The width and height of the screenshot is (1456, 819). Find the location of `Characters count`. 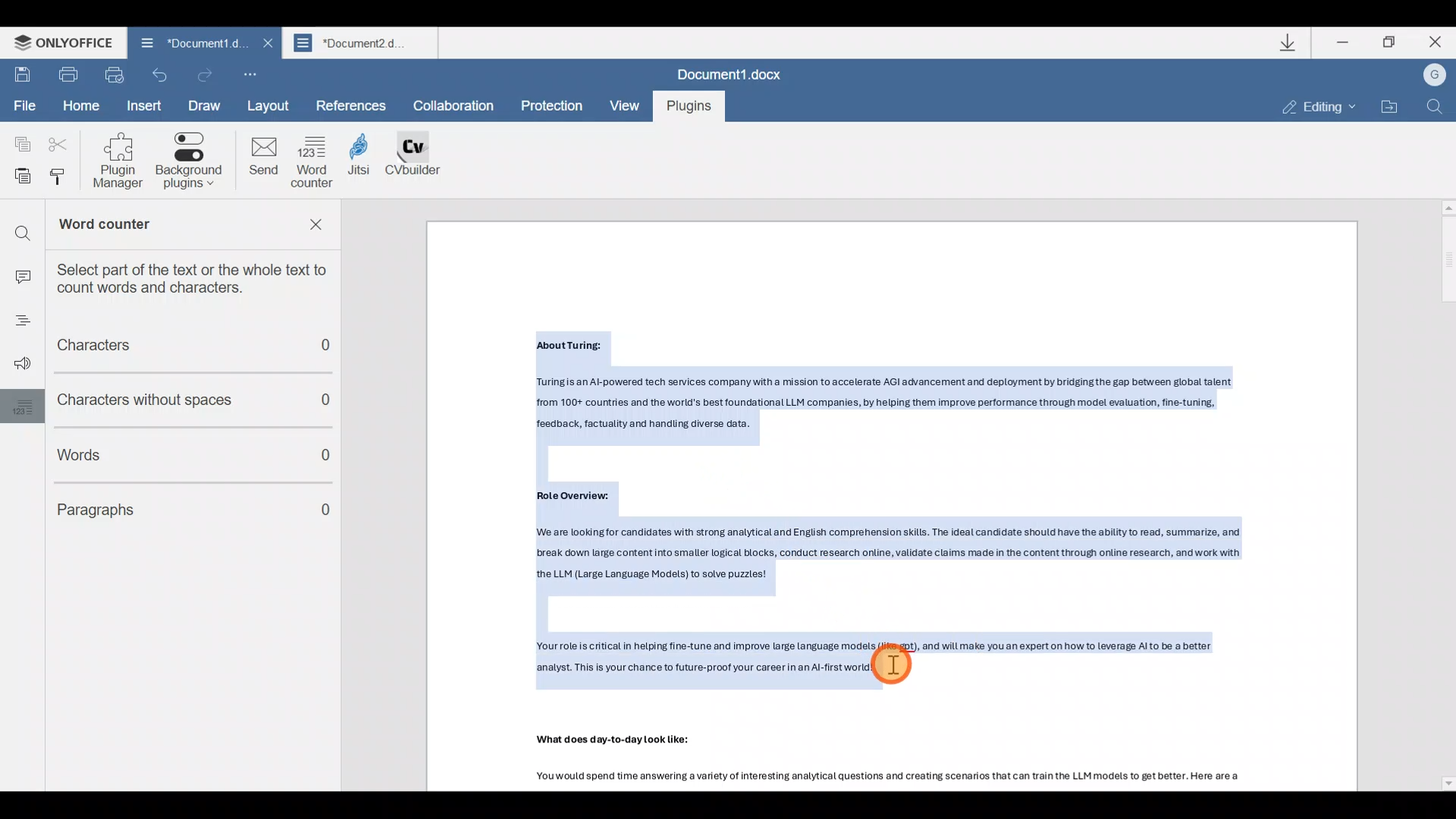

Characters count is located at coordinates (183, 347).